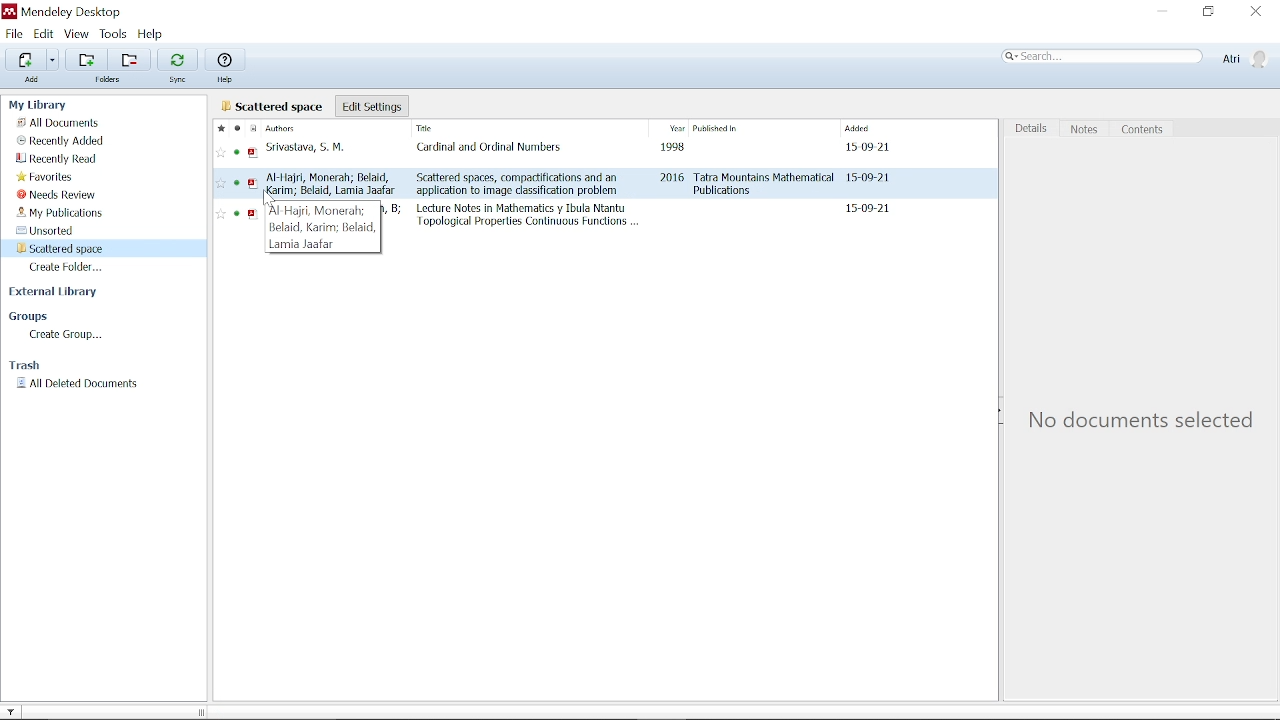 The width and height of the screenshot is (1280, 720). What do you see at coordinates (514, 184) in the screenshot?
I see `title` at bounding box center [514, 184].